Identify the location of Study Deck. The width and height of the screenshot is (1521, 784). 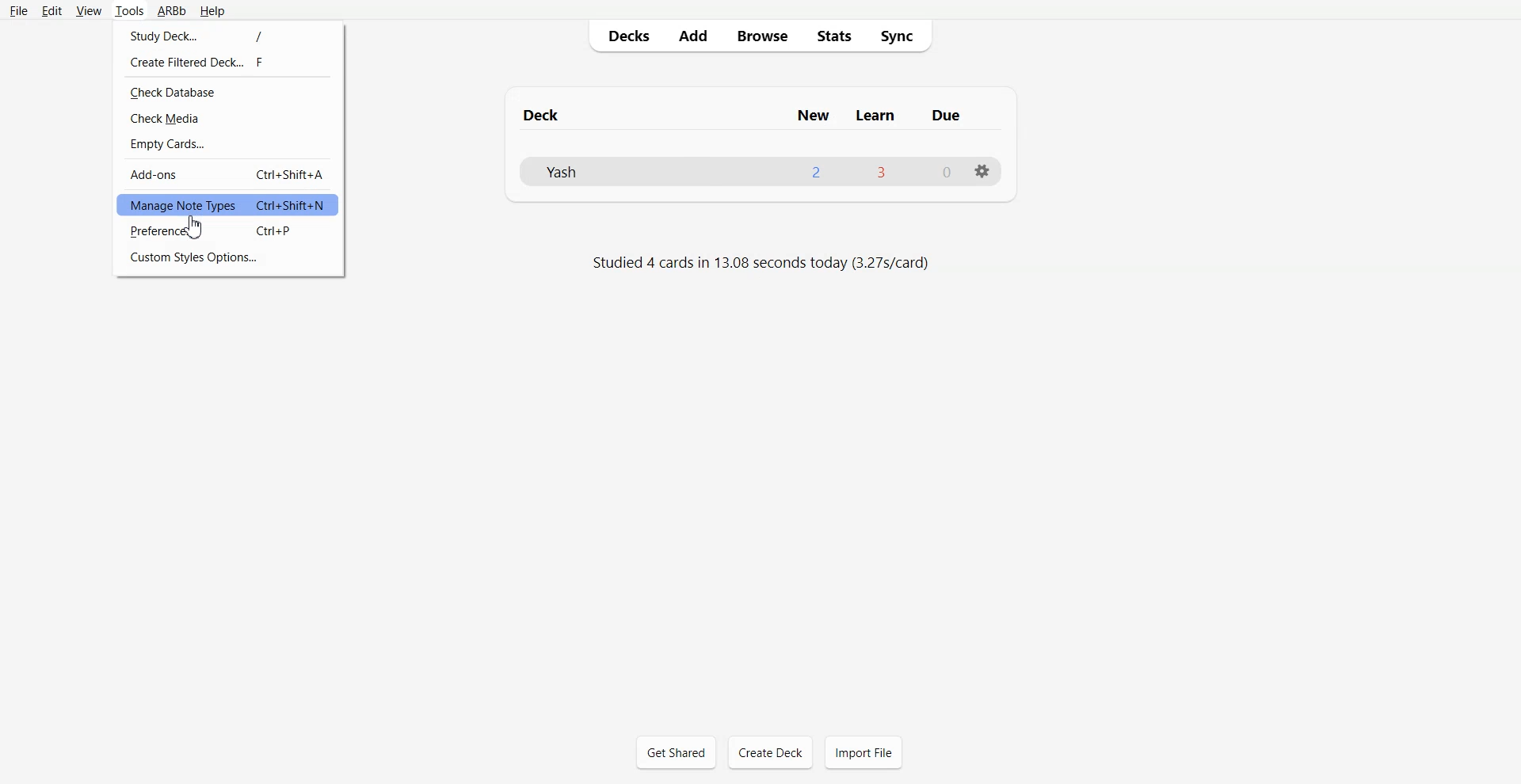
(228, 35).